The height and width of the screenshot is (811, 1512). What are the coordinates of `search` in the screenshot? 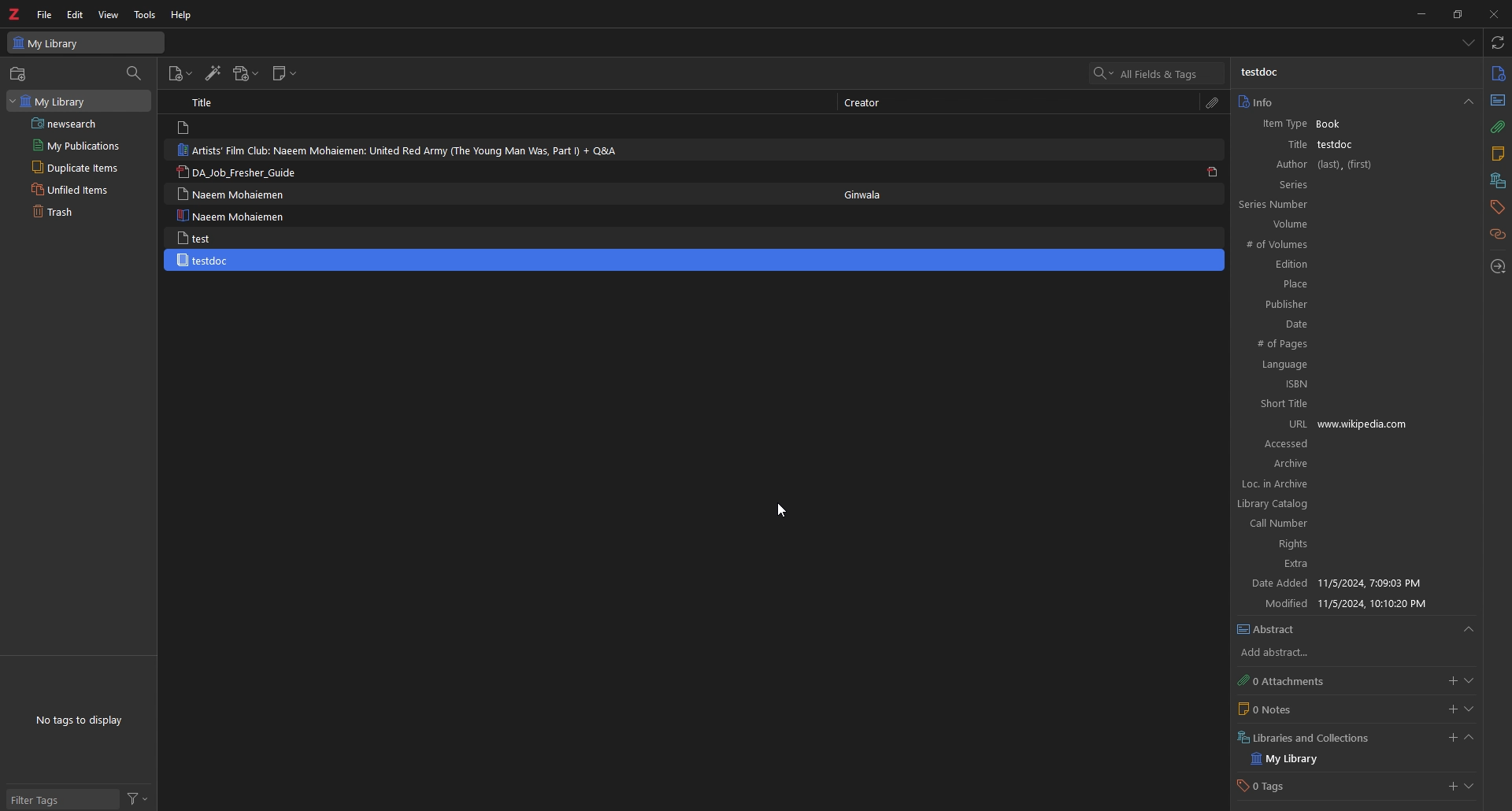 It's located at (1161, 72).